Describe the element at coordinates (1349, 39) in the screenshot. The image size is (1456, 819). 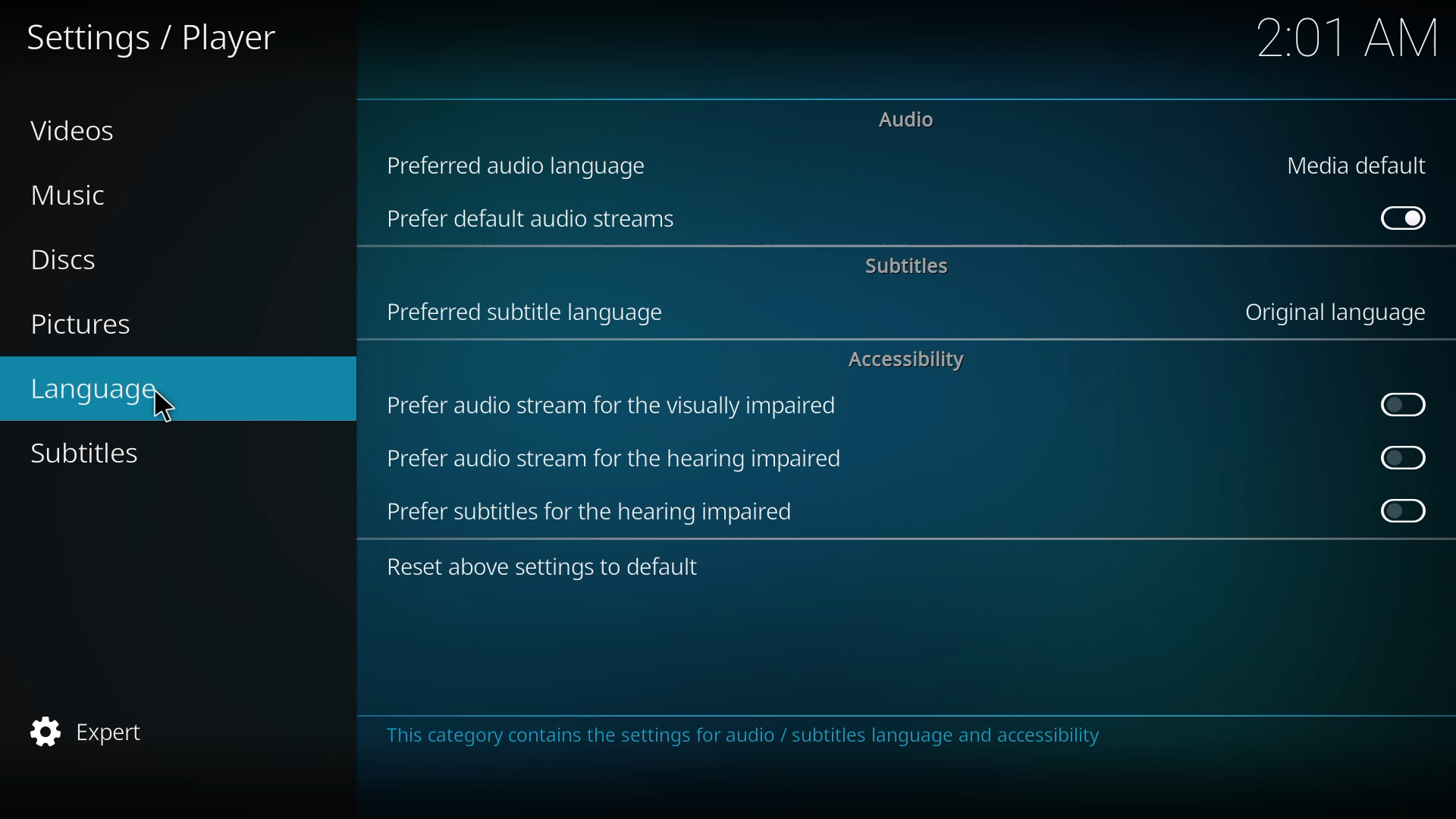
I see `time` at that location.